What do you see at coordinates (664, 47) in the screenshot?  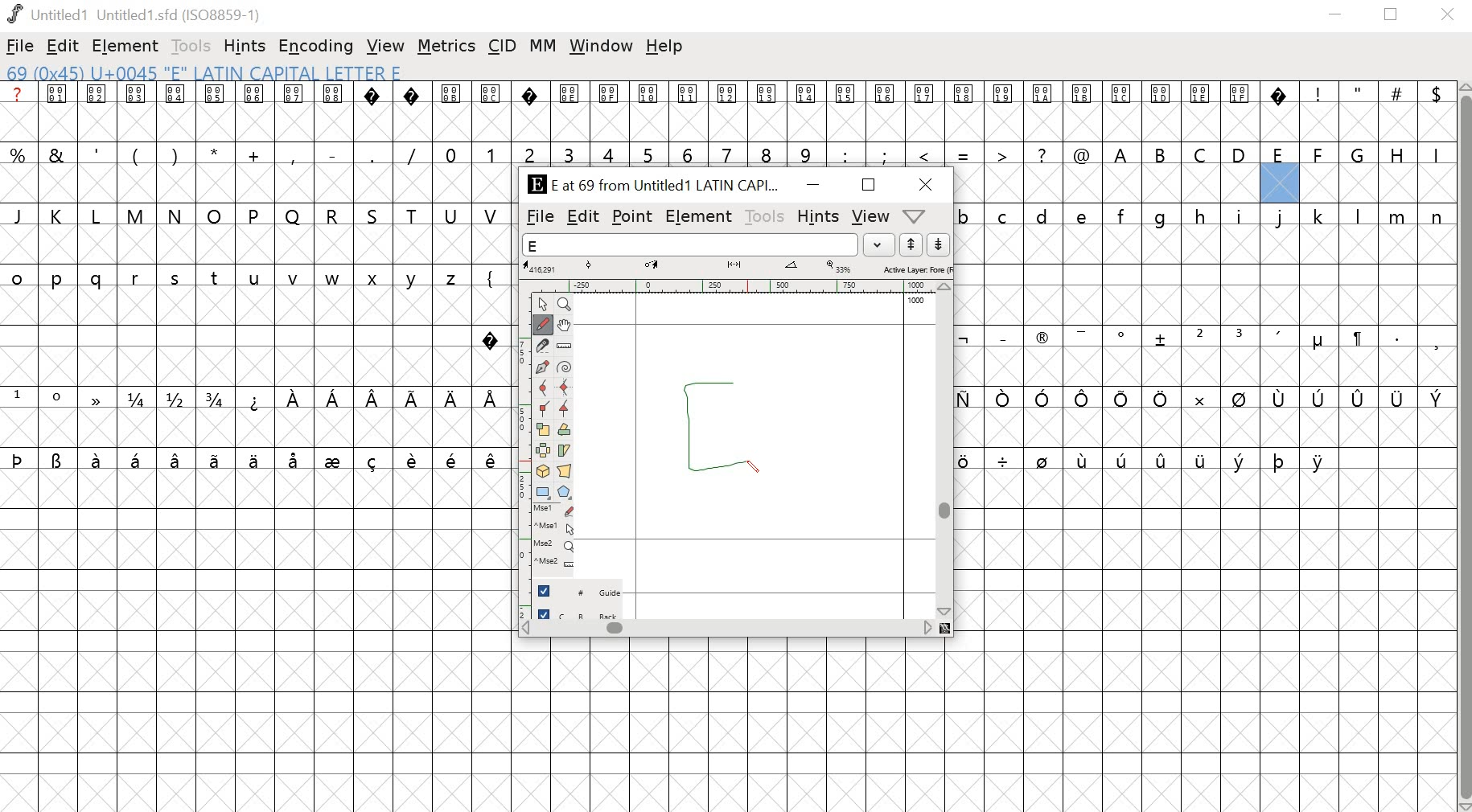 I see `help` at bounding box center [664, 47].